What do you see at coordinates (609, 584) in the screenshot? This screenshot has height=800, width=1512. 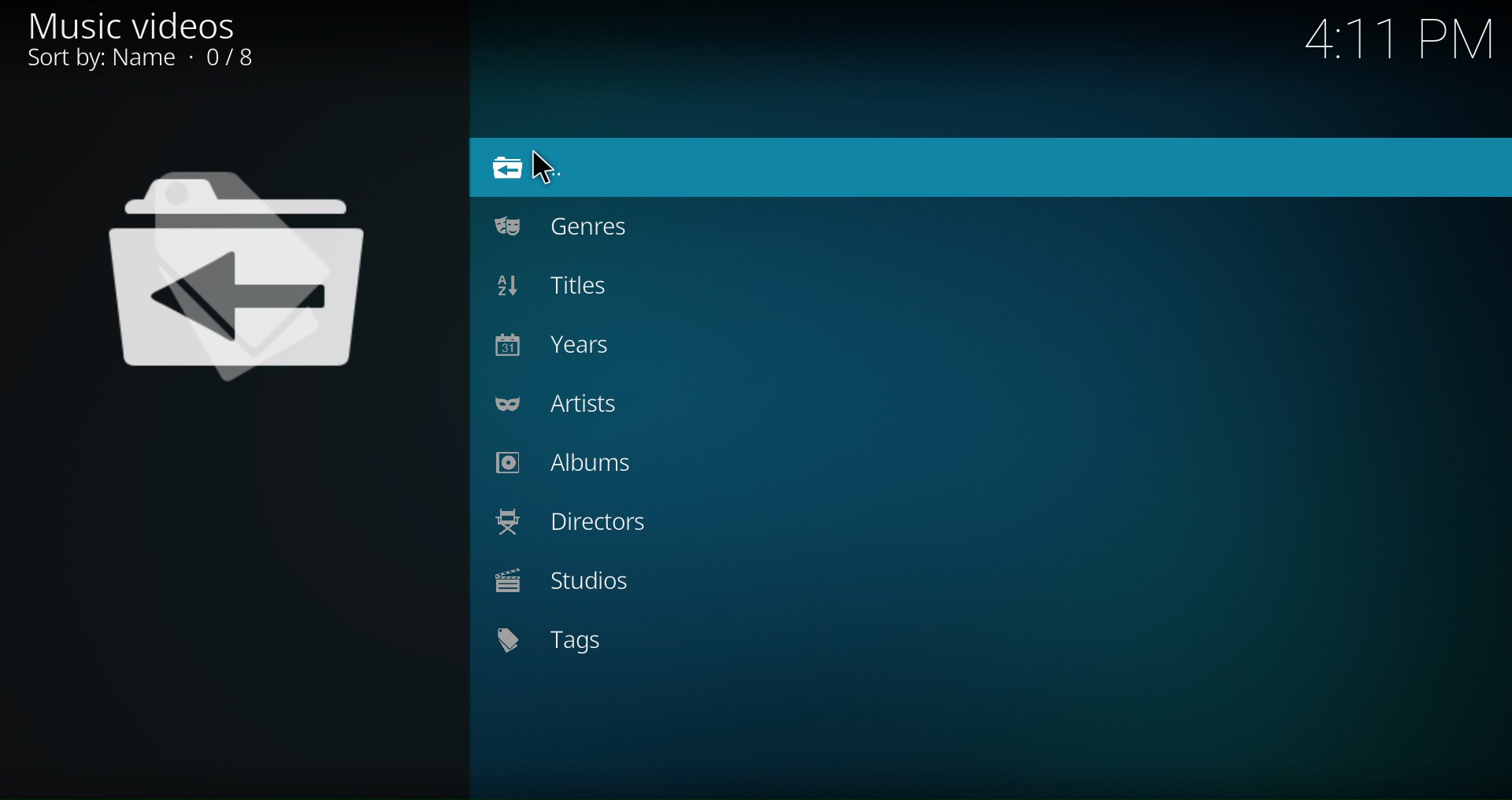 I see `Studios` at bounding box center [609, 584].